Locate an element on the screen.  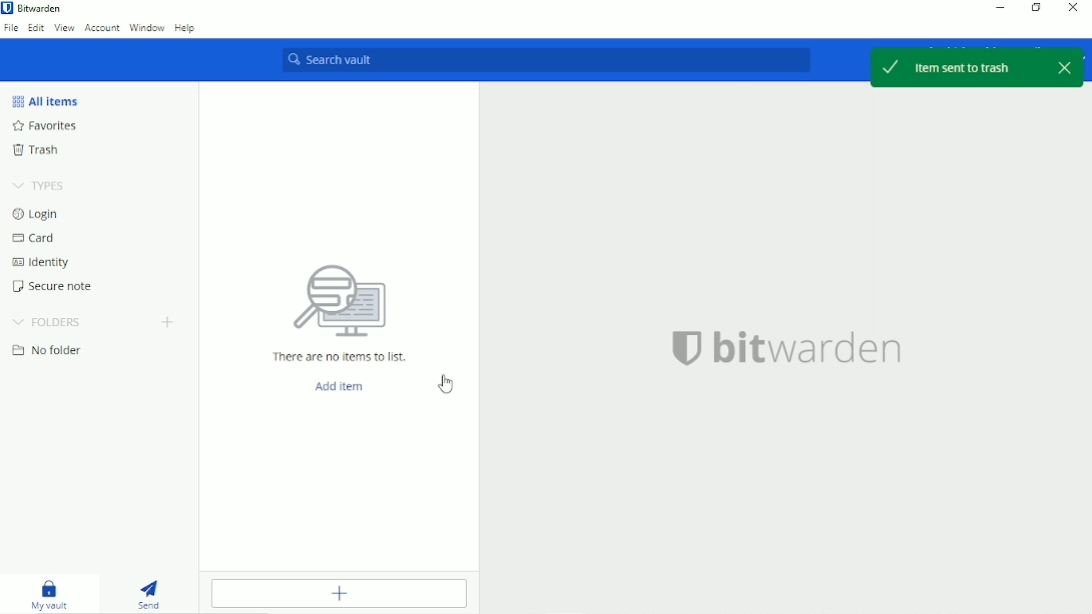
View is located at coordinates (65, 28).